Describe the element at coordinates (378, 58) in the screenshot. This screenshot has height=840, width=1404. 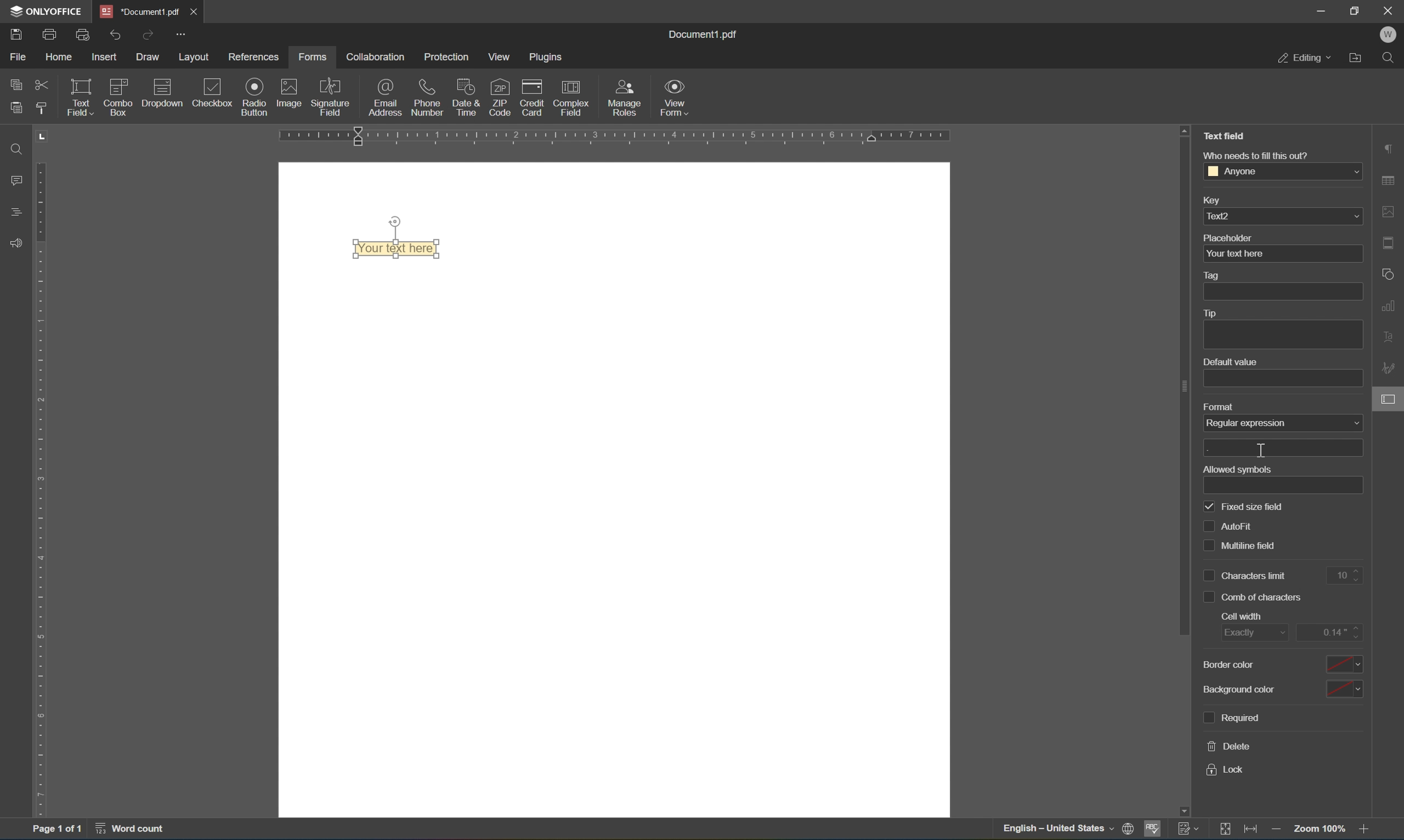
I see `collaboration` at that location.